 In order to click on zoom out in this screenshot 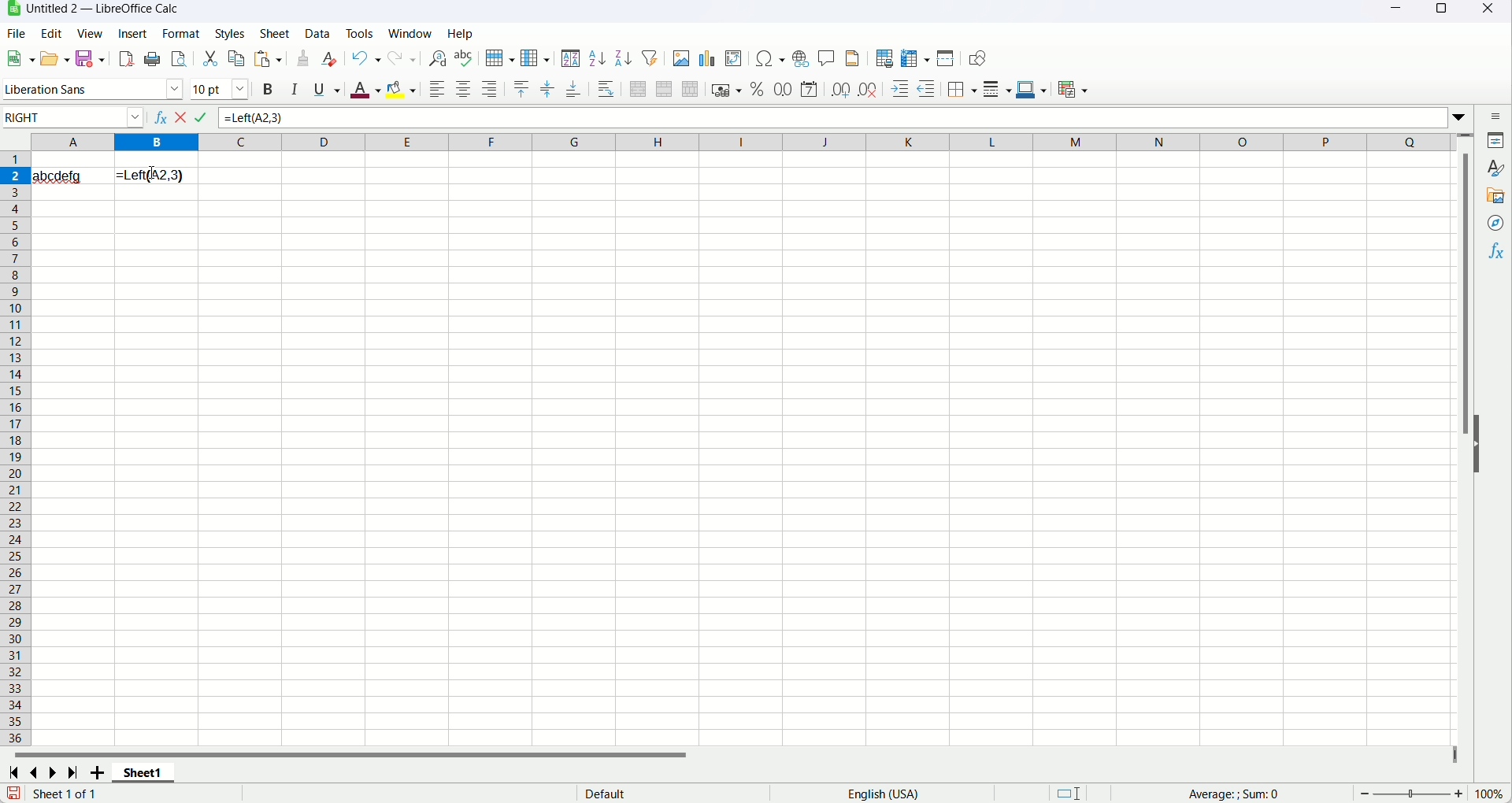, I will do `click(1366, 794)`.